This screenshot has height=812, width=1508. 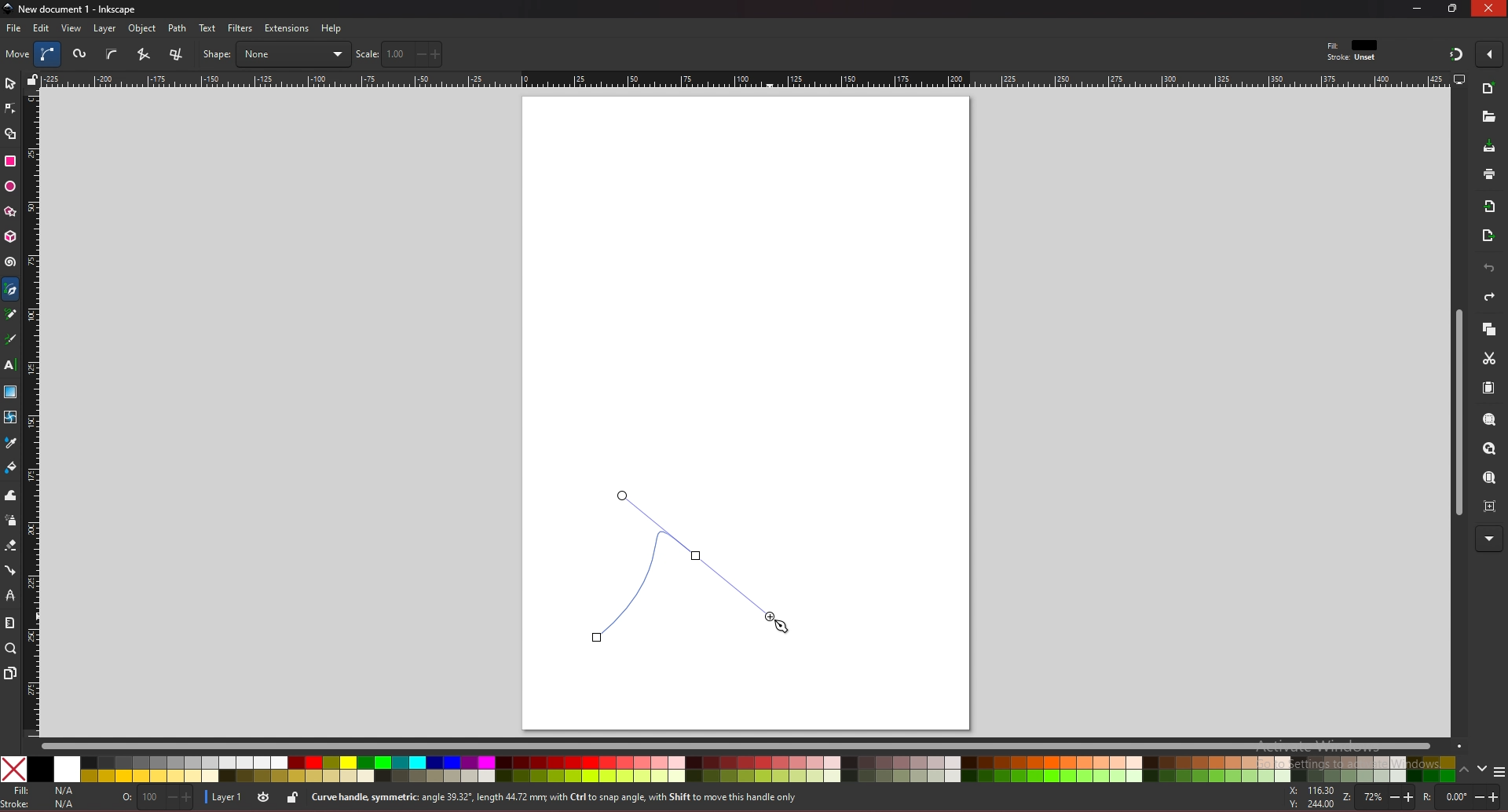 What do you see at coordinates (13, 341) in the screenshot?
I see `calligraphy` at bounding box center [13, 341].